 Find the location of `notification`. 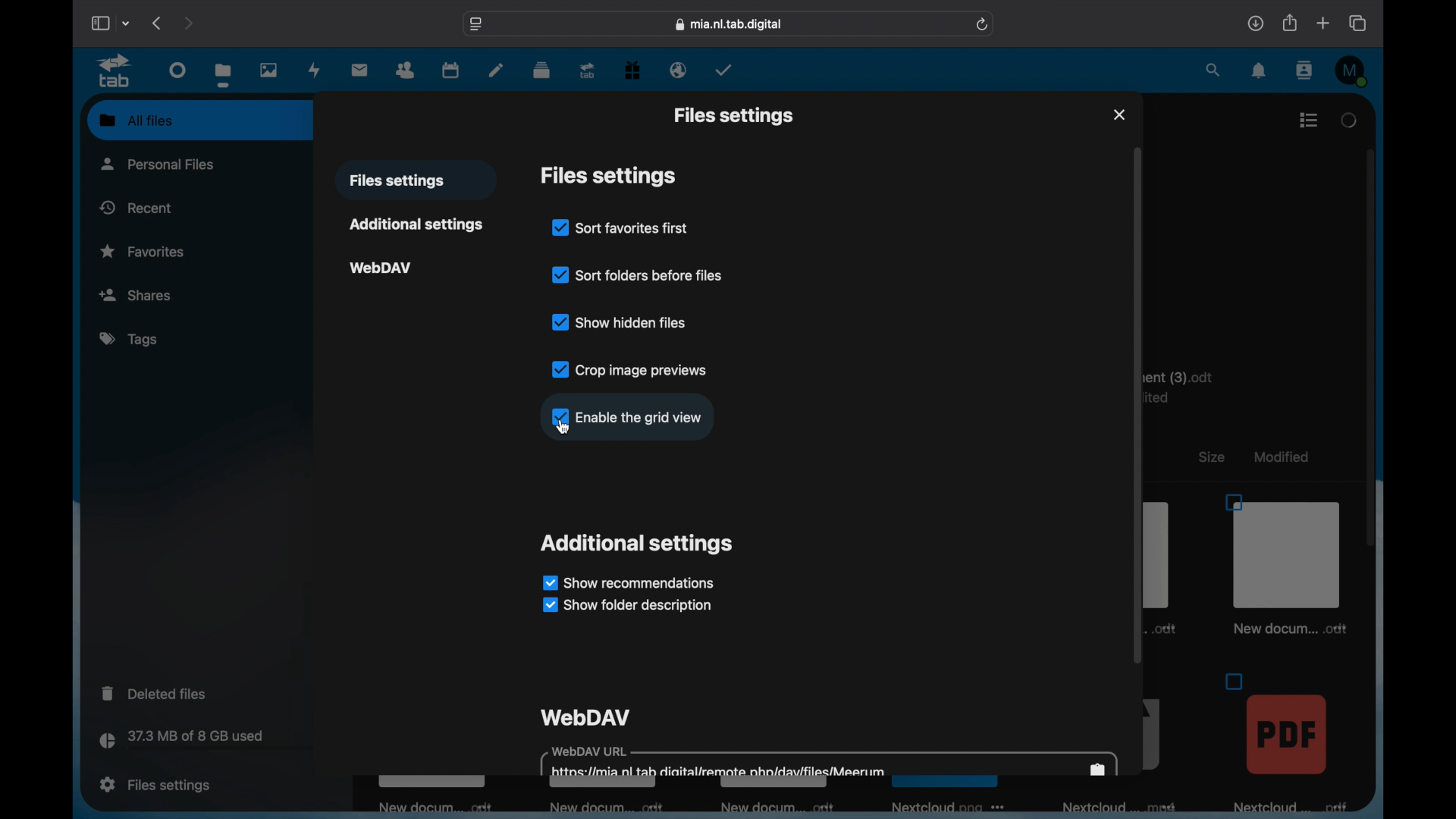

notification is located at coordinates (1260, 71).